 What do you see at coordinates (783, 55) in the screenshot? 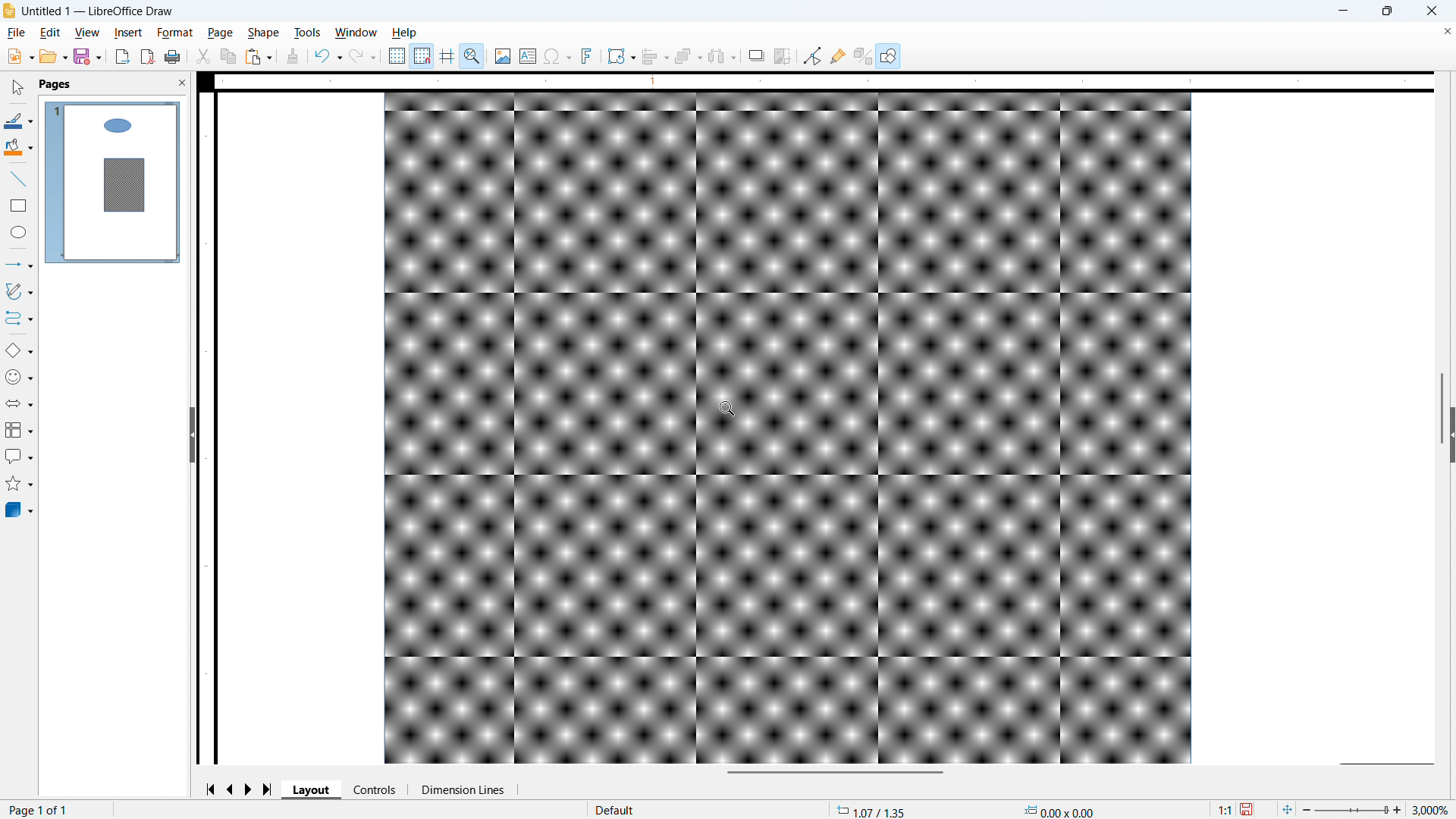
I see `Crop image ` at bounding box center [783, 55].